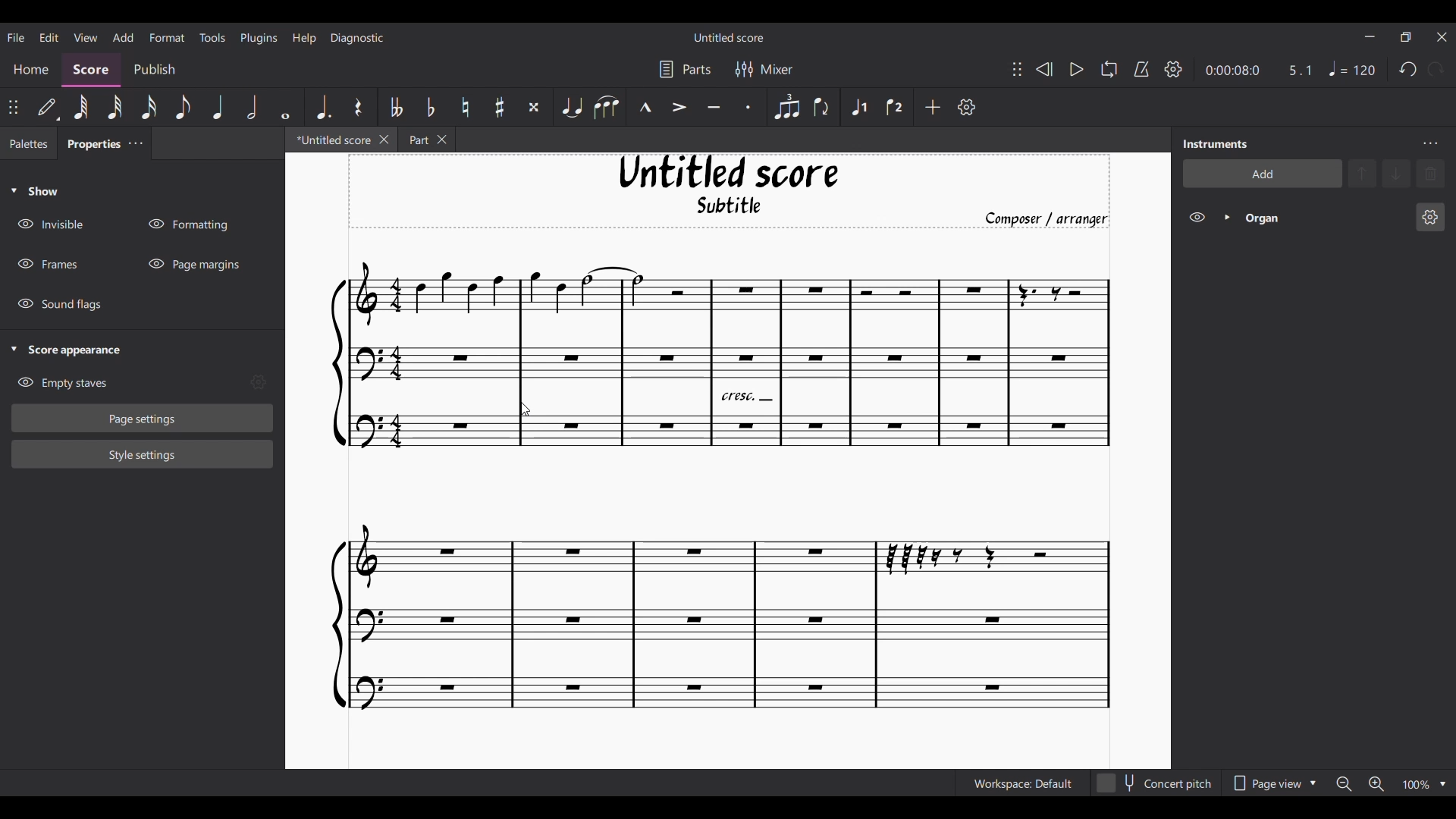 Image resolution: width=1456 pixels, height=819 pixels. What do you see at coordinates (154, 70) in the screenshot?
I see `Publish section` at bounding box center [154, 70].